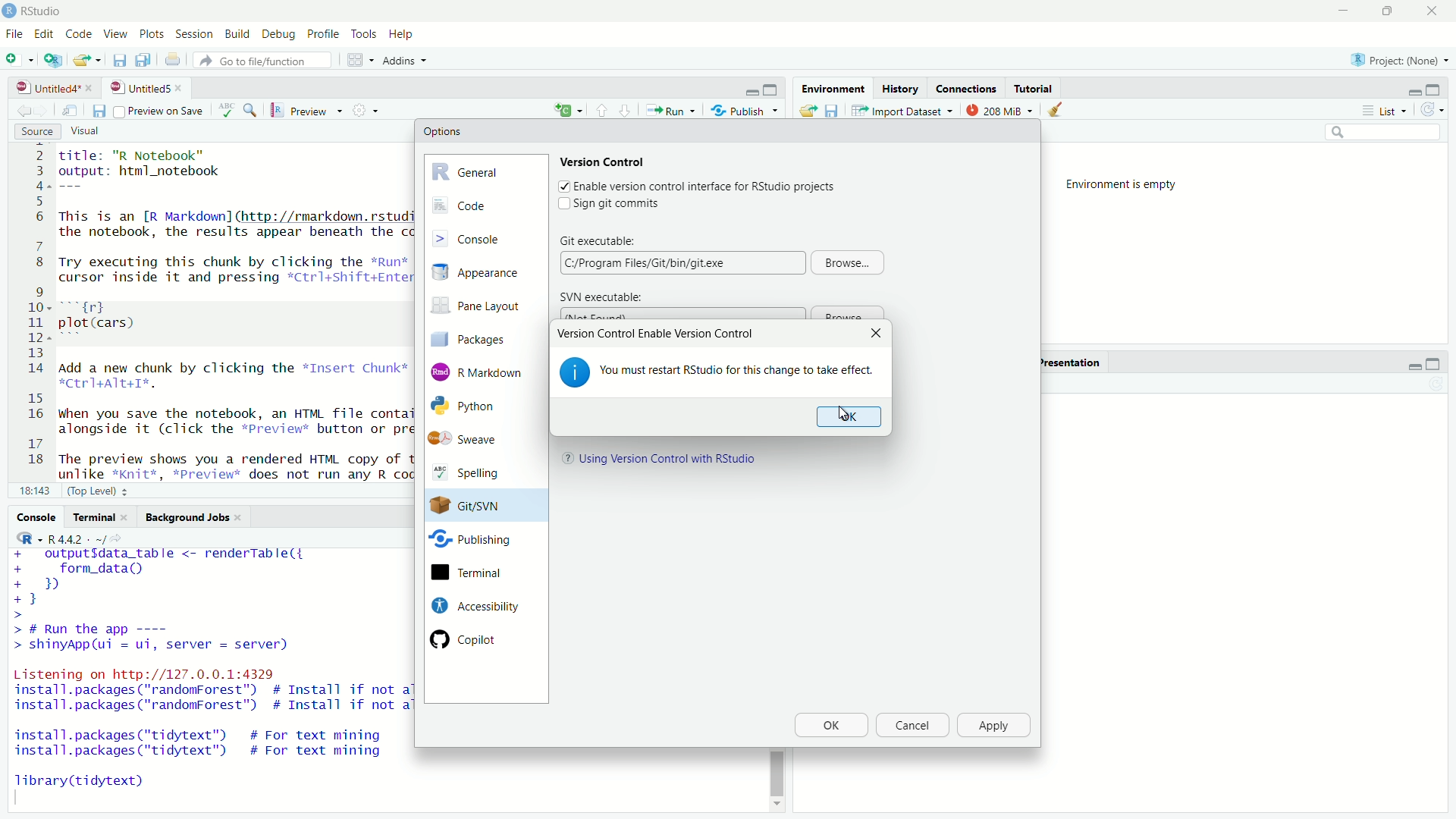  Describe the element at coordinates (44, 35) in the screenshot. I see `Edit` at that location.